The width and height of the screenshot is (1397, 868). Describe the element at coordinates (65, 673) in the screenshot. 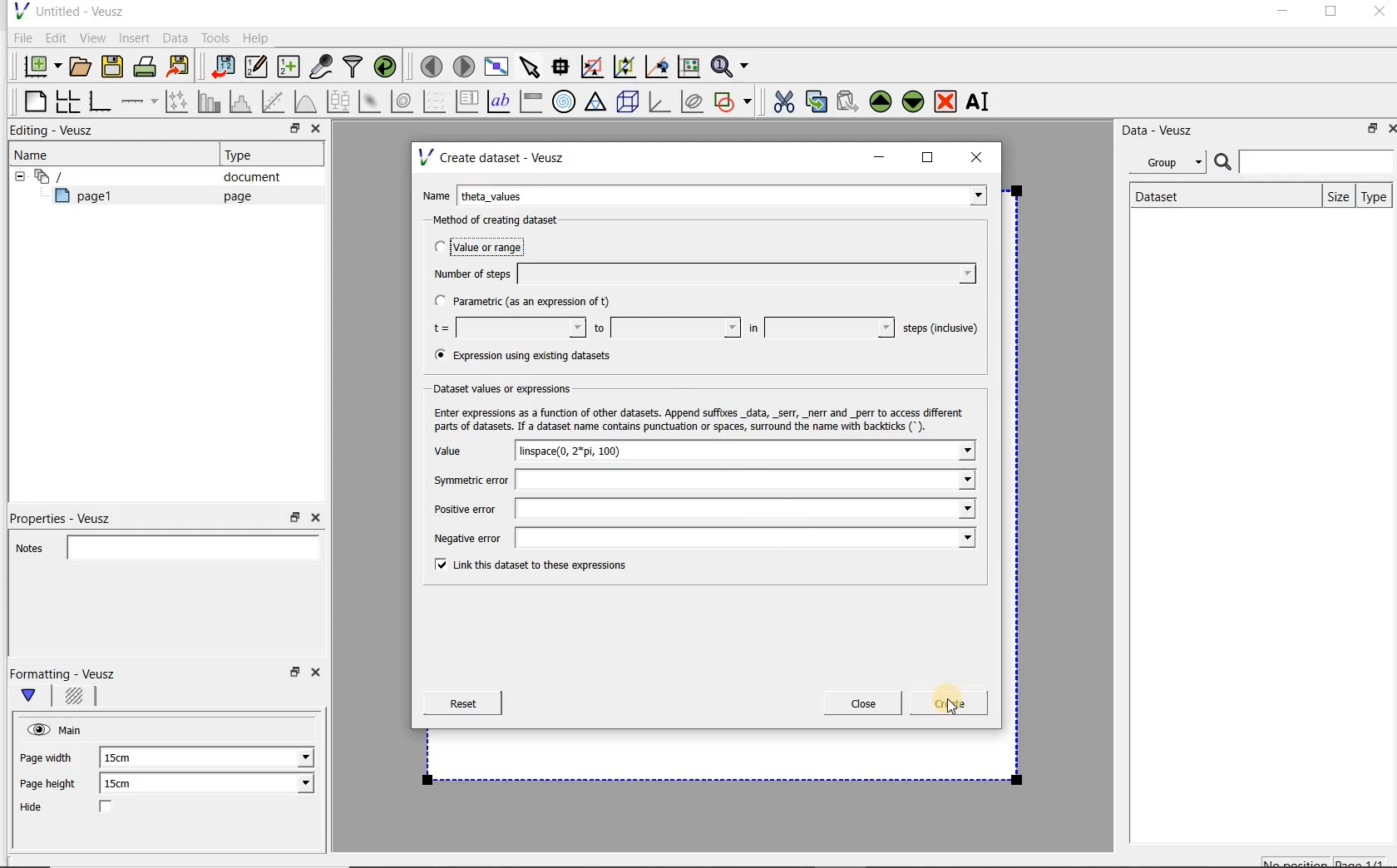

I see `Formatting - Veusz` at that location.